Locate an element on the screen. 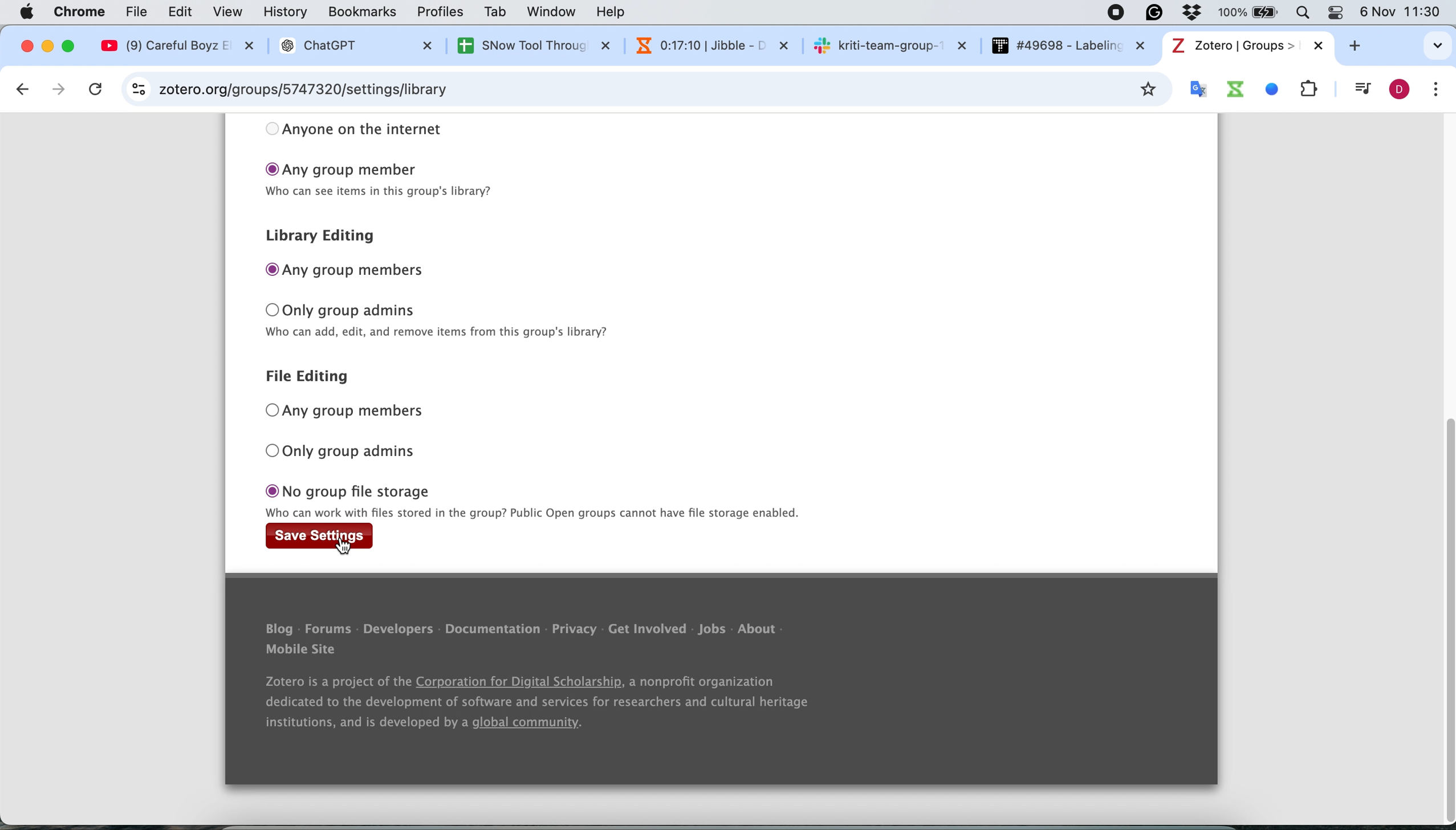 The width and height of the screenshot is (1456, 830). minimise is located at coordinates (48, 47).